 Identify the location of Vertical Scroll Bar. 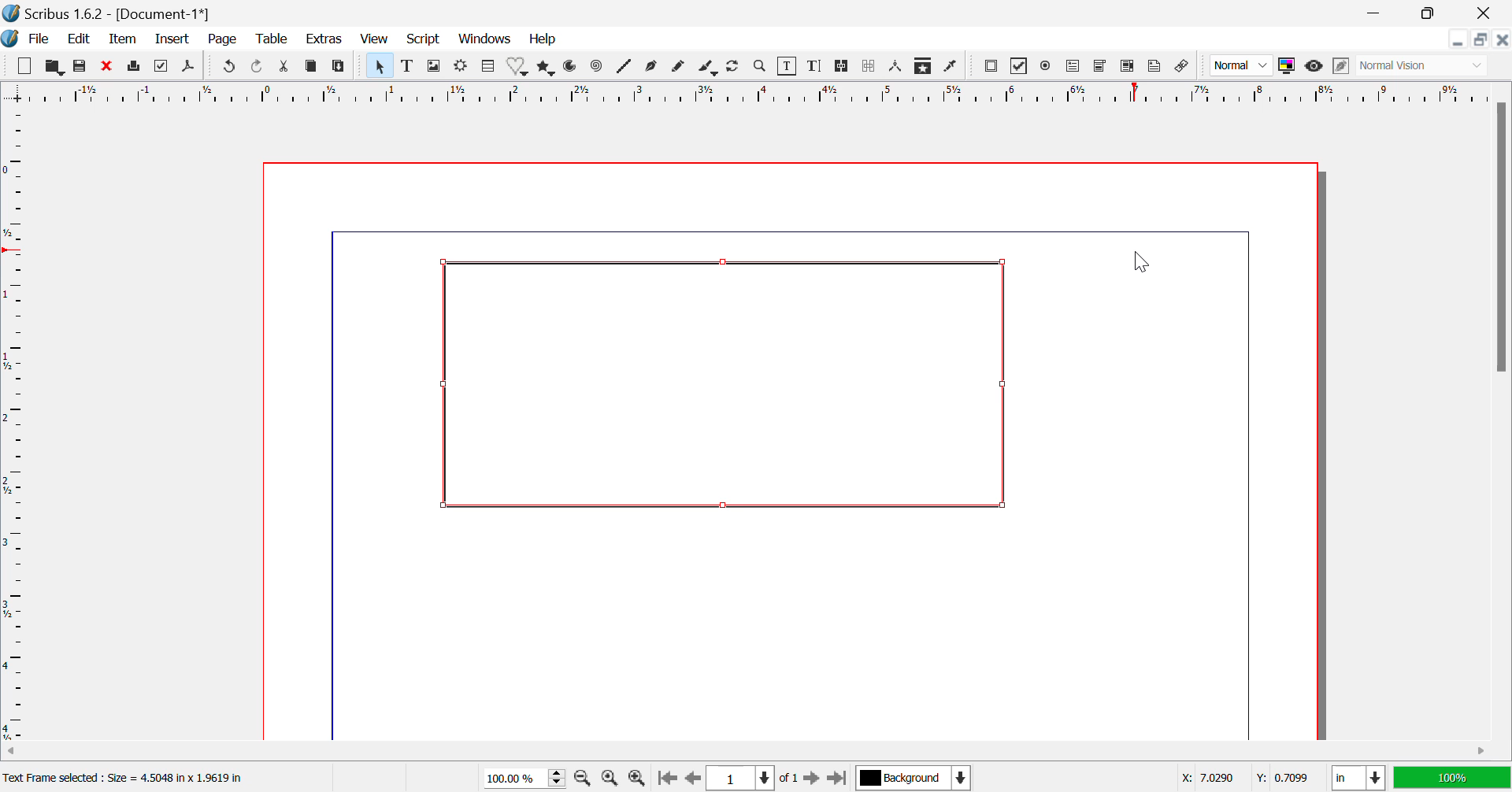
(1499, 418).